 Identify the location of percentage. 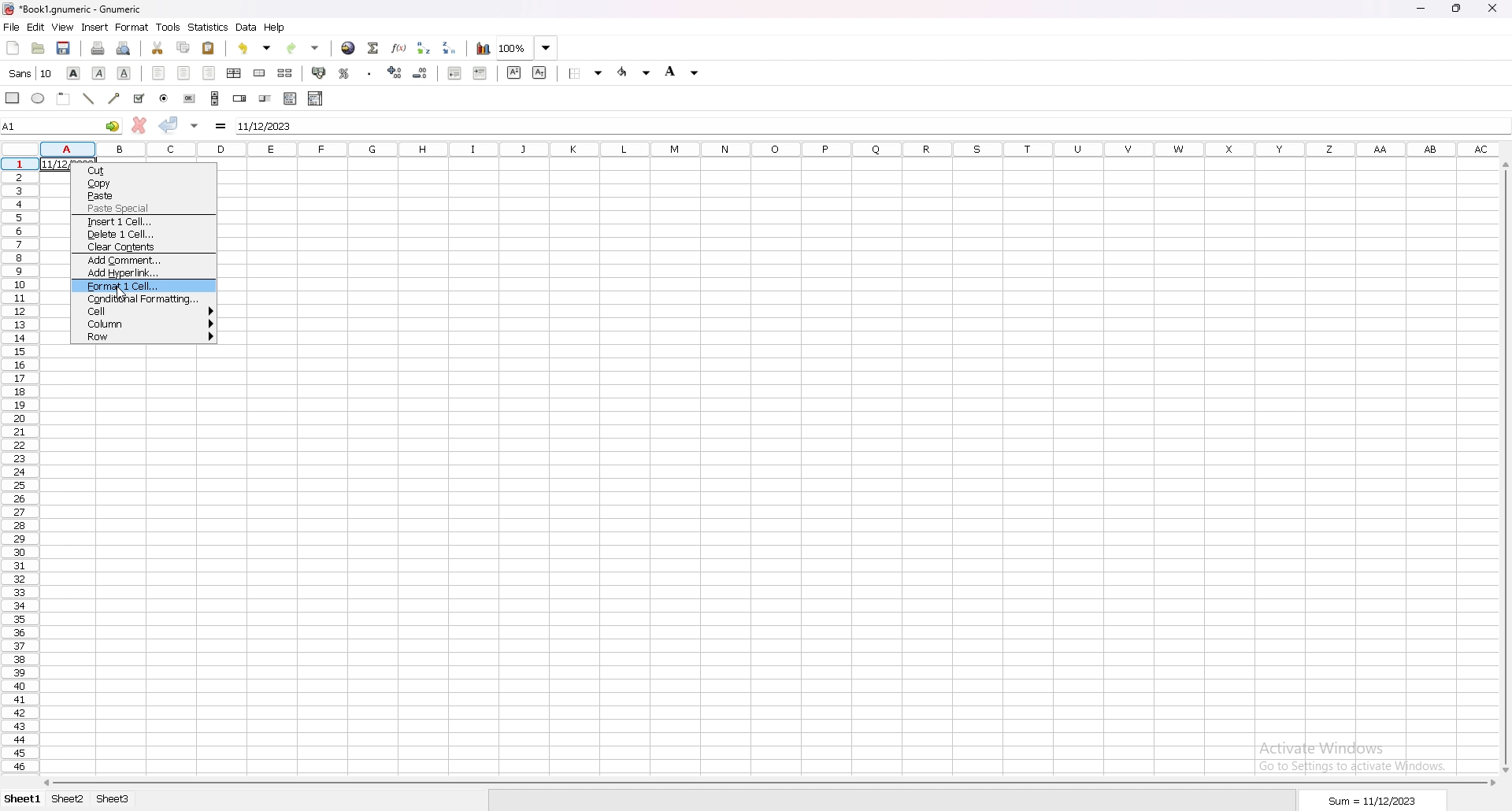
(344, 73).